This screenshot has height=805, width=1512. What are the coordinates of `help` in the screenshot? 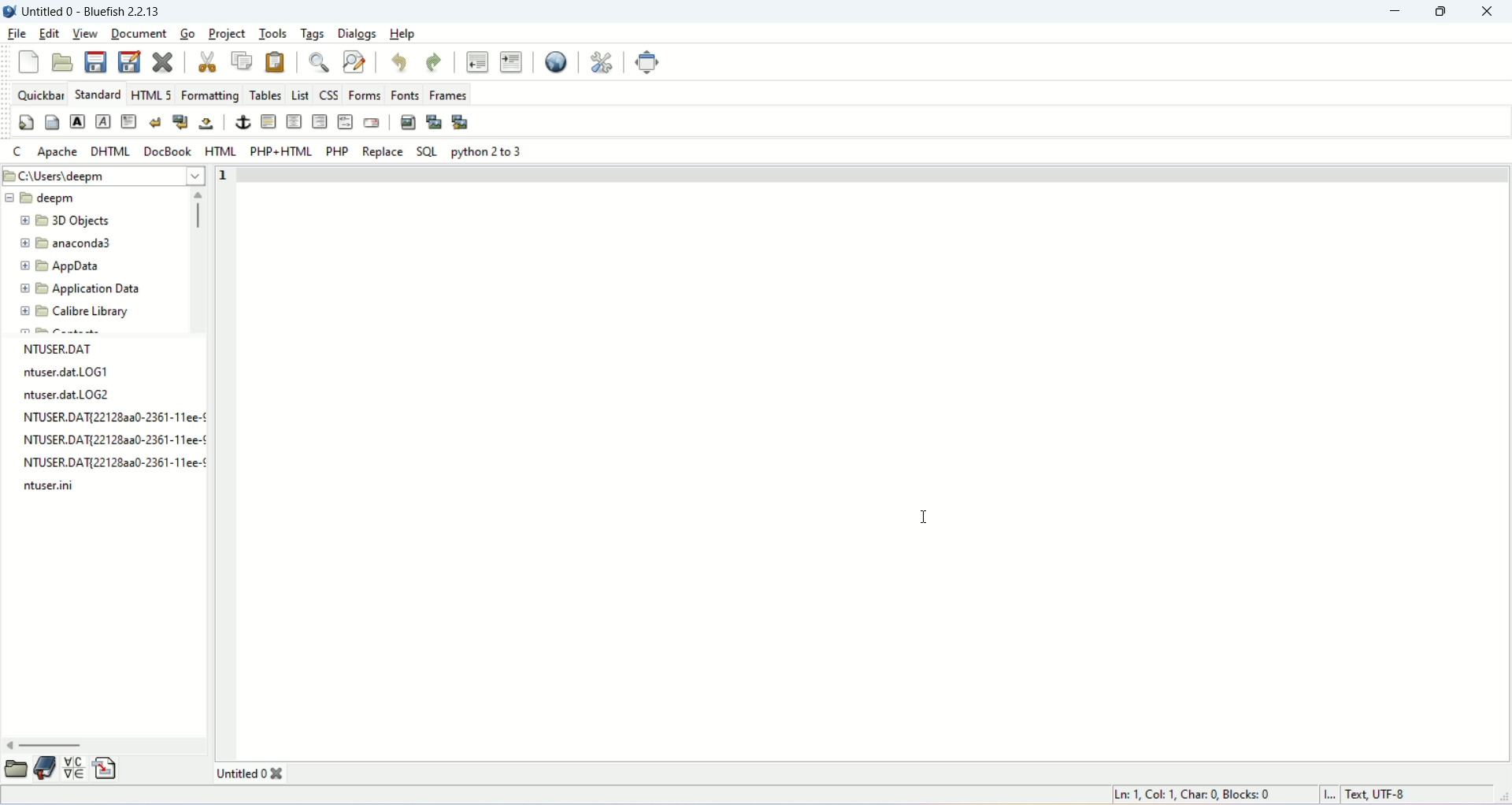 It's located at (404, 33).